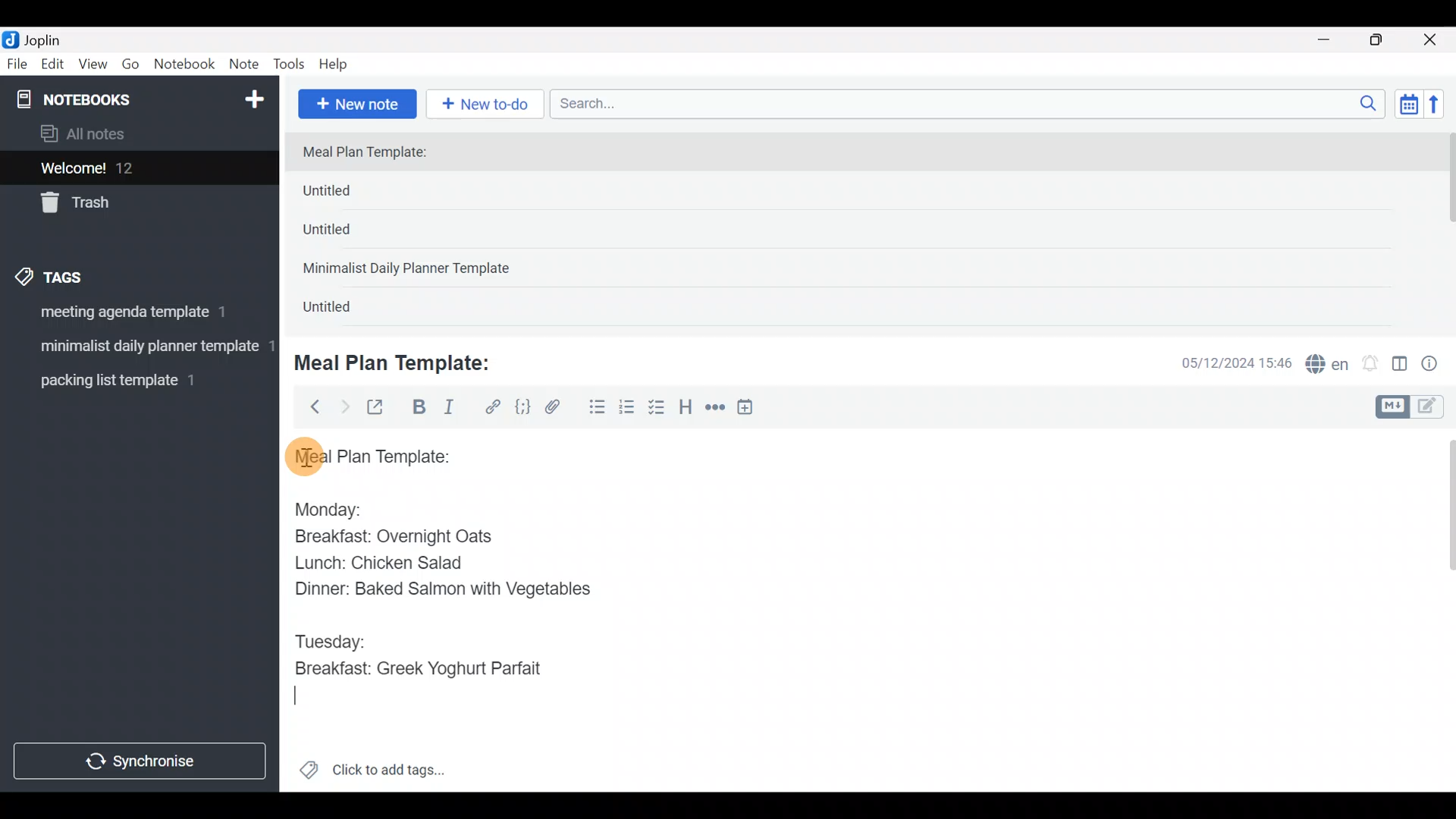 The image size is (1456, 819). What do you see at coordinates (352, 194) in the screenshot?
I see `Untitled` at bounding box center [352, 194].